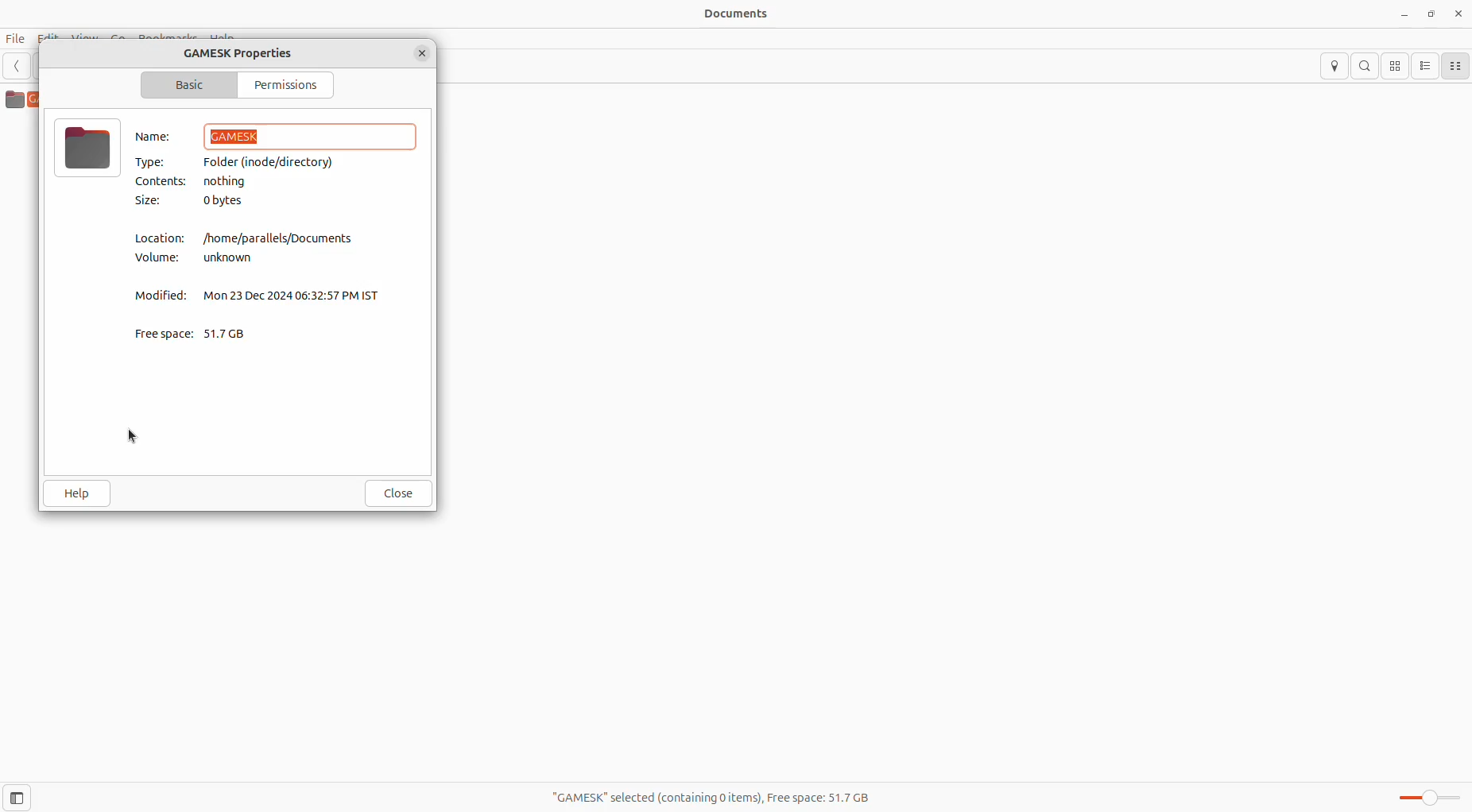 The image size is (1472, 812). I want to click on "GAMESK" selected(containing 0 items), Free space:51.7 G , so click(708, 800).